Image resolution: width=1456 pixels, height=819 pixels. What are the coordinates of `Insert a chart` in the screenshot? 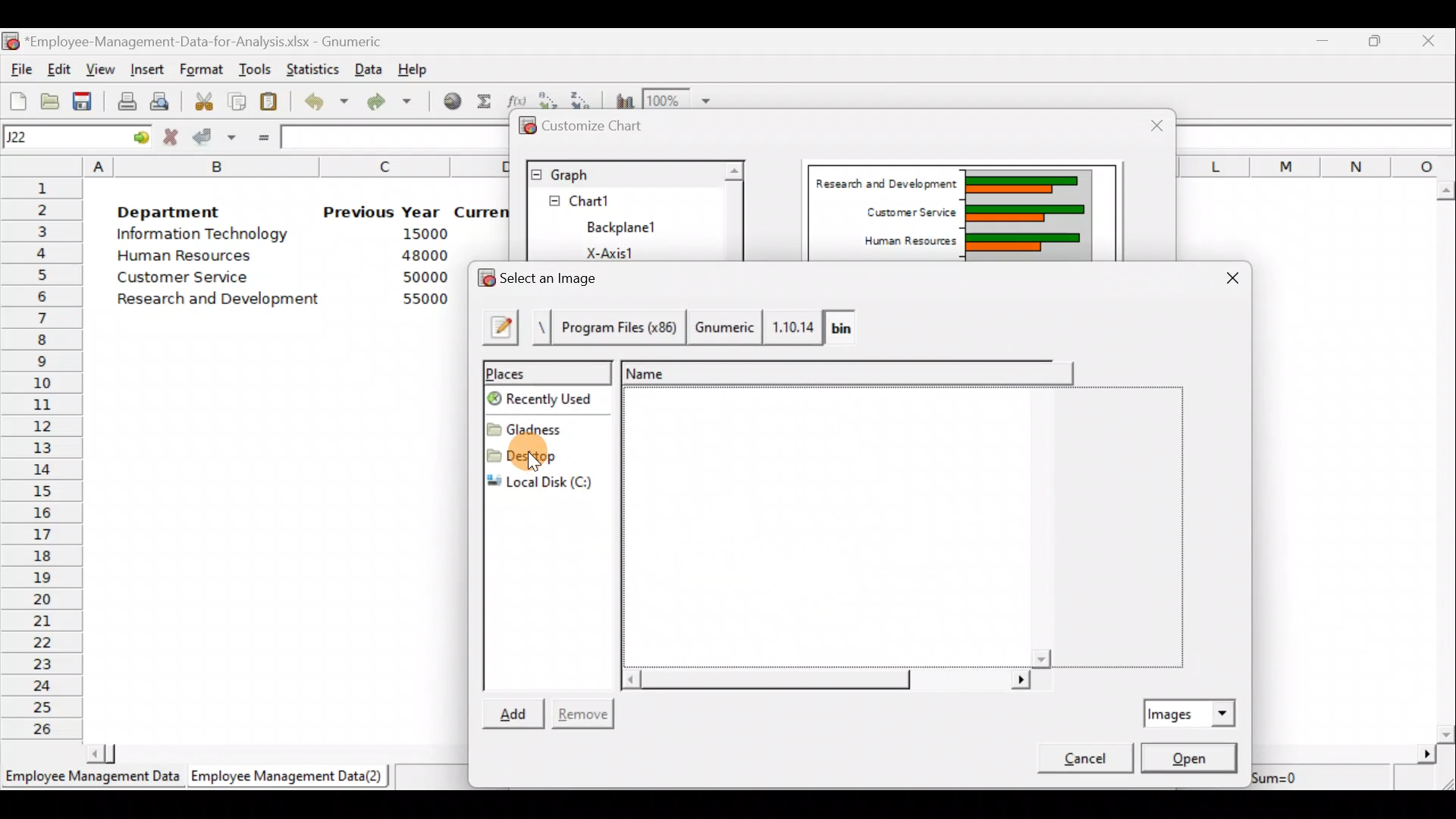 It's located at (622, 99).